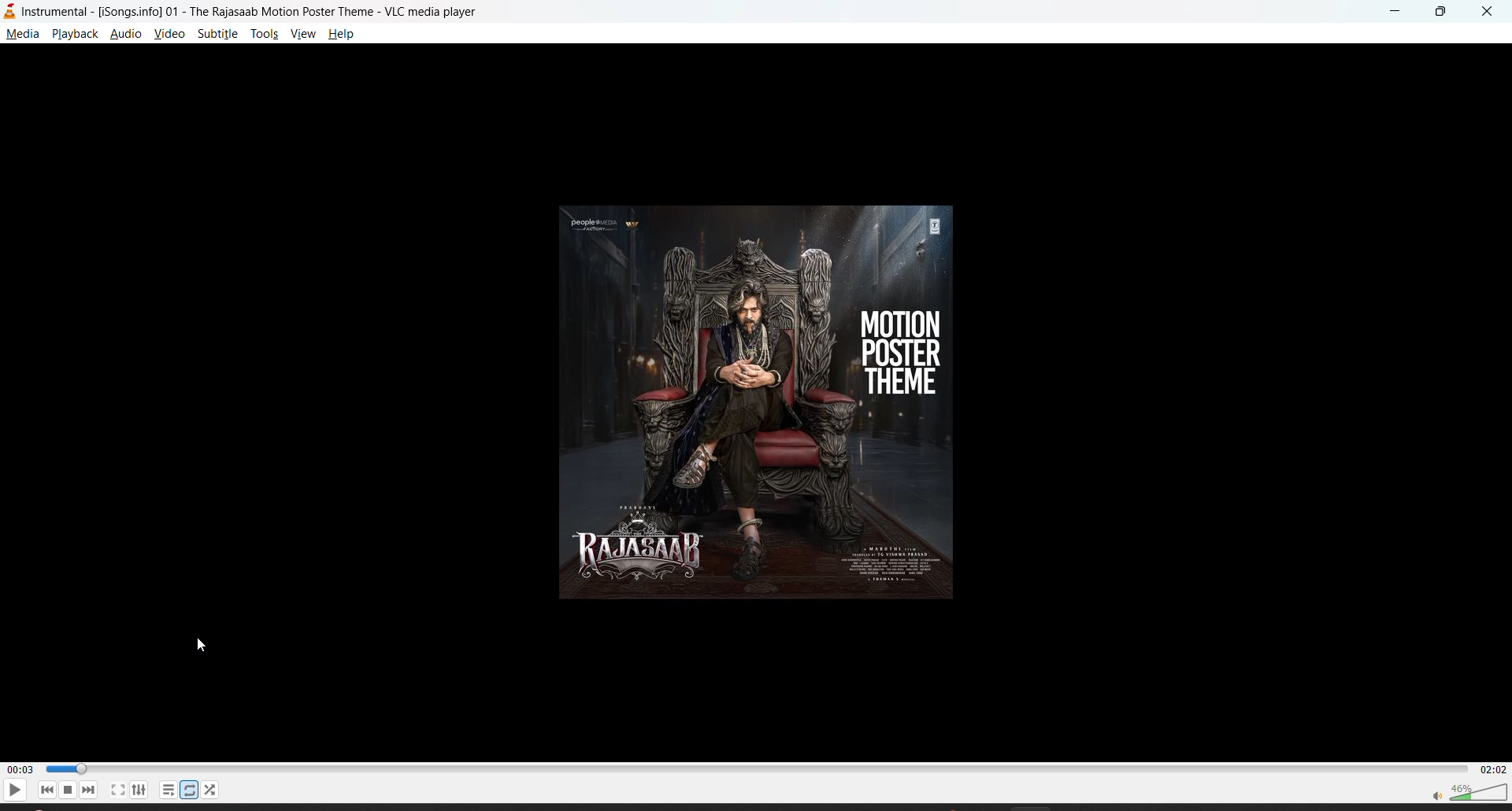  What do you see at coordinates (46, 791) in the screenshot?
I see `previous` at bounding box center [46, 791].